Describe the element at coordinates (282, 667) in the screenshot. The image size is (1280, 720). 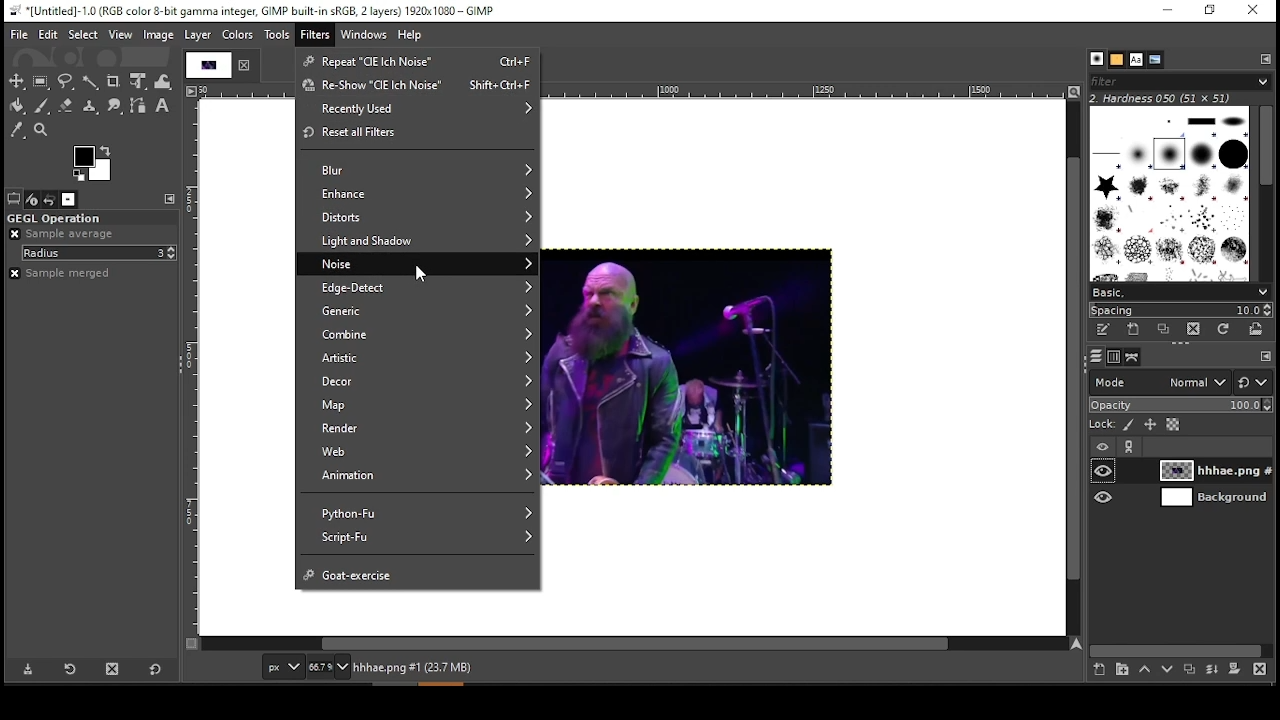
I see `units` at that location.